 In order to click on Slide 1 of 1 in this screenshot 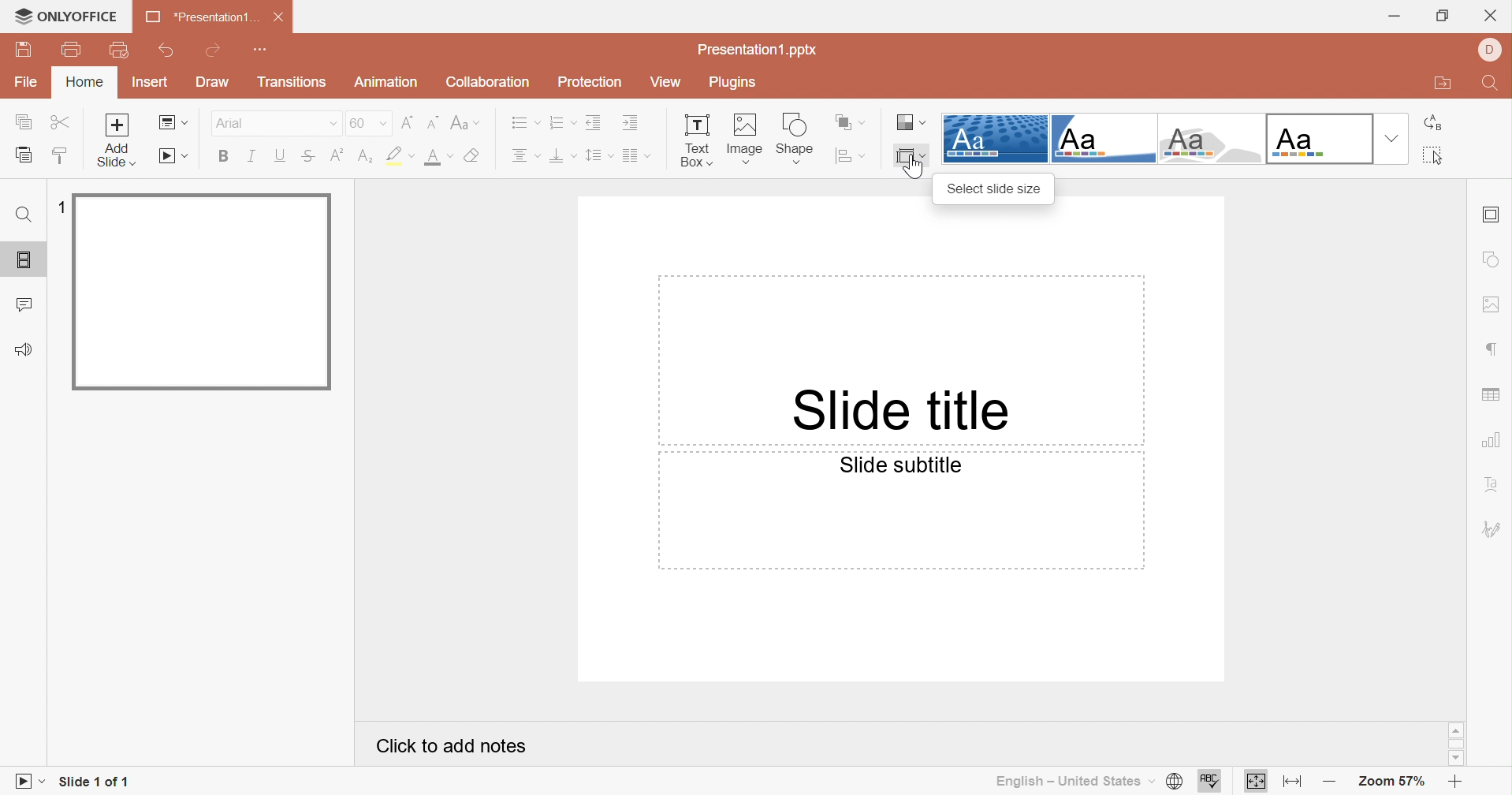, I will do `click(99, 784)`.